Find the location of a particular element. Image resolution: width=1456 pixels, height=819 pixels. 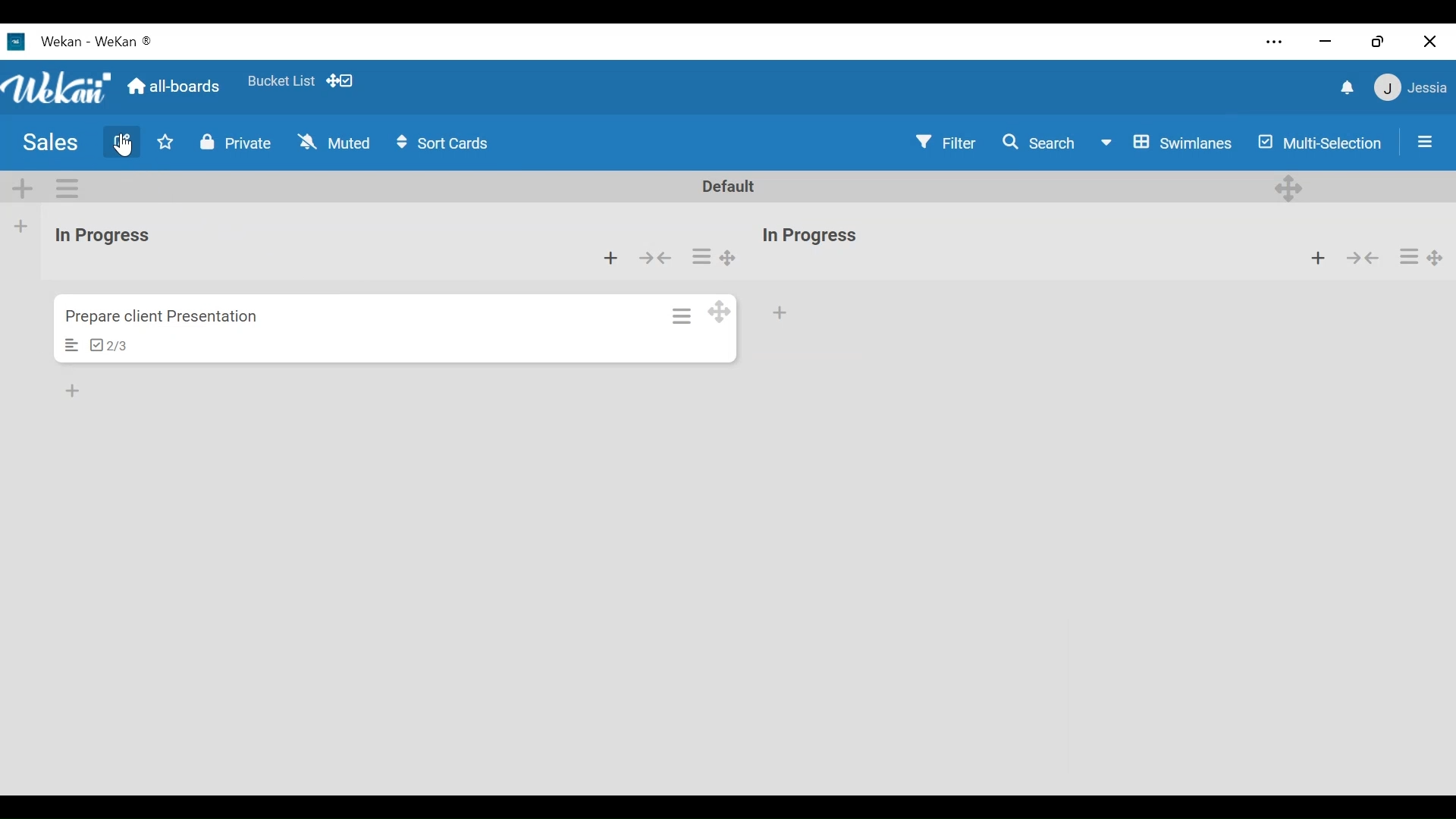

Description is located at coordinates (71, 344).